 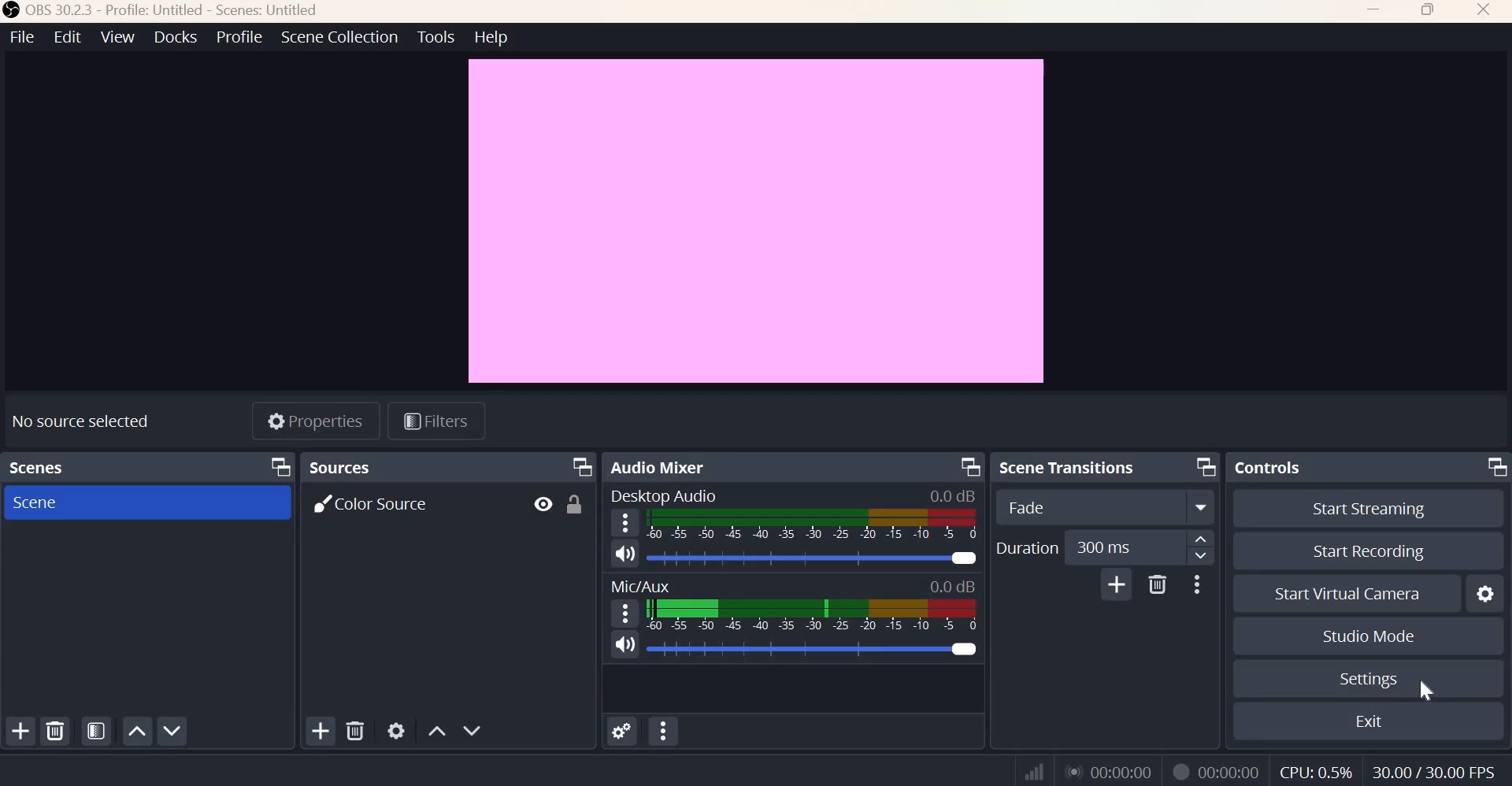 What do you see at coordinates (1350, 591) in the screenshot?
I see `Start virtual camera` at bounding box center [1350, 591].